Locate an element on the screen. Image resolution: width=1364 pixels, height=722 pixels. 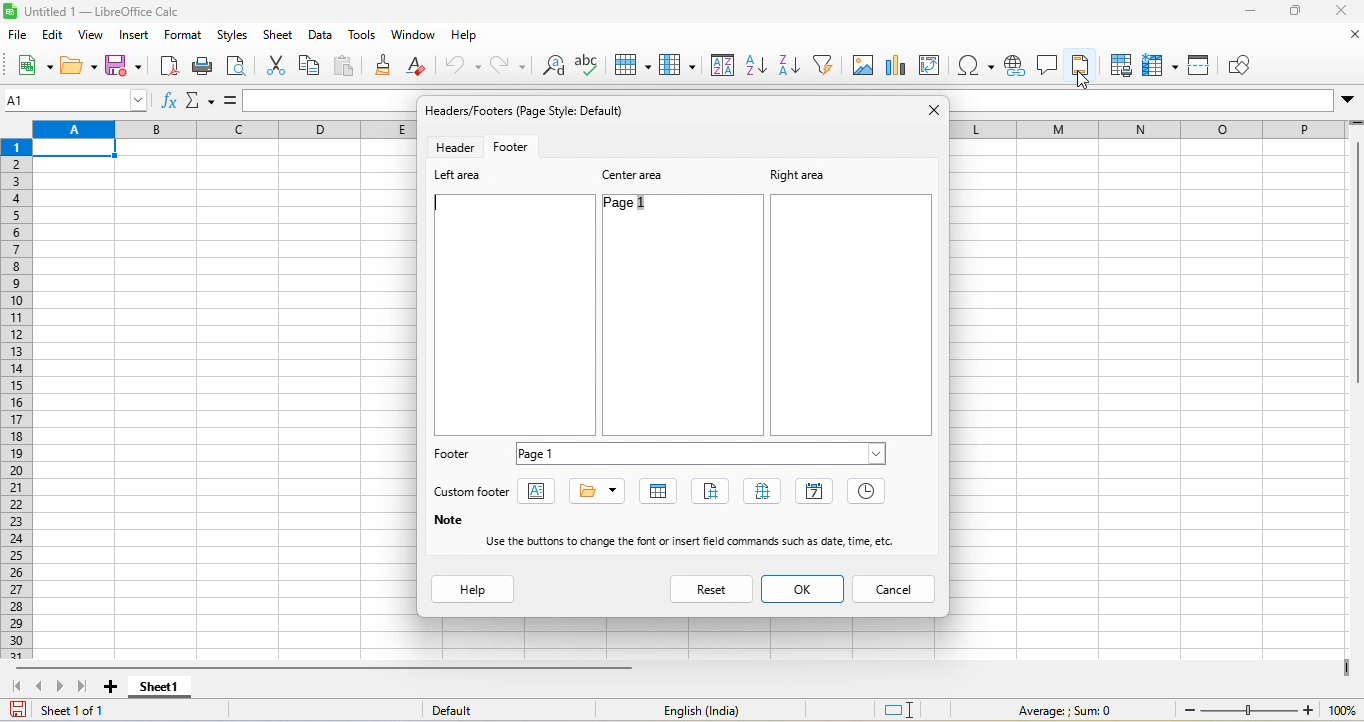
text language is located at coordinates (704, 710).